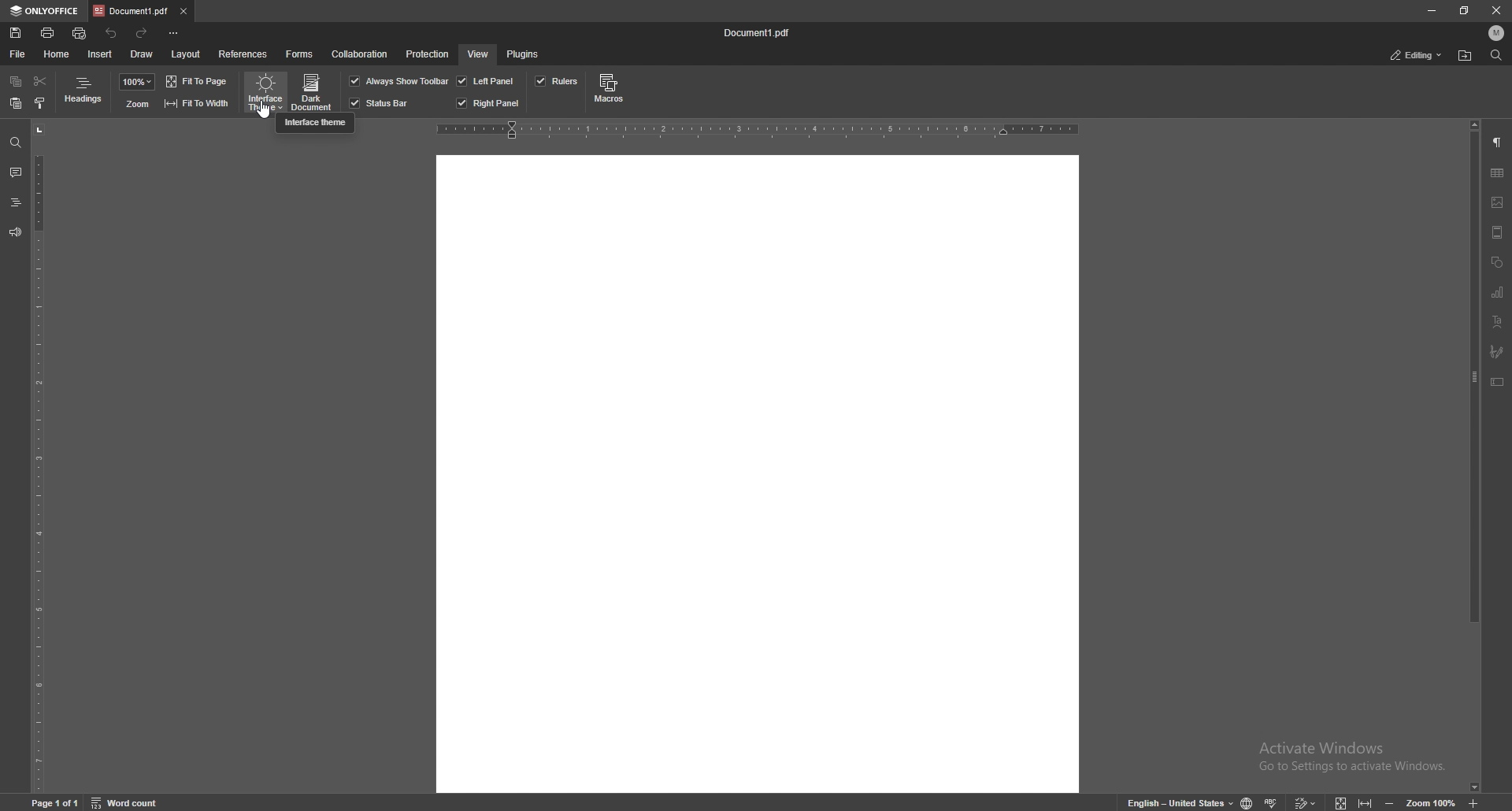 The height and width of the screenshot is (811, 1512). What do you see at coordinates (243, 55) in the screenshot?
I see `references` at bounding box center [243, 55].